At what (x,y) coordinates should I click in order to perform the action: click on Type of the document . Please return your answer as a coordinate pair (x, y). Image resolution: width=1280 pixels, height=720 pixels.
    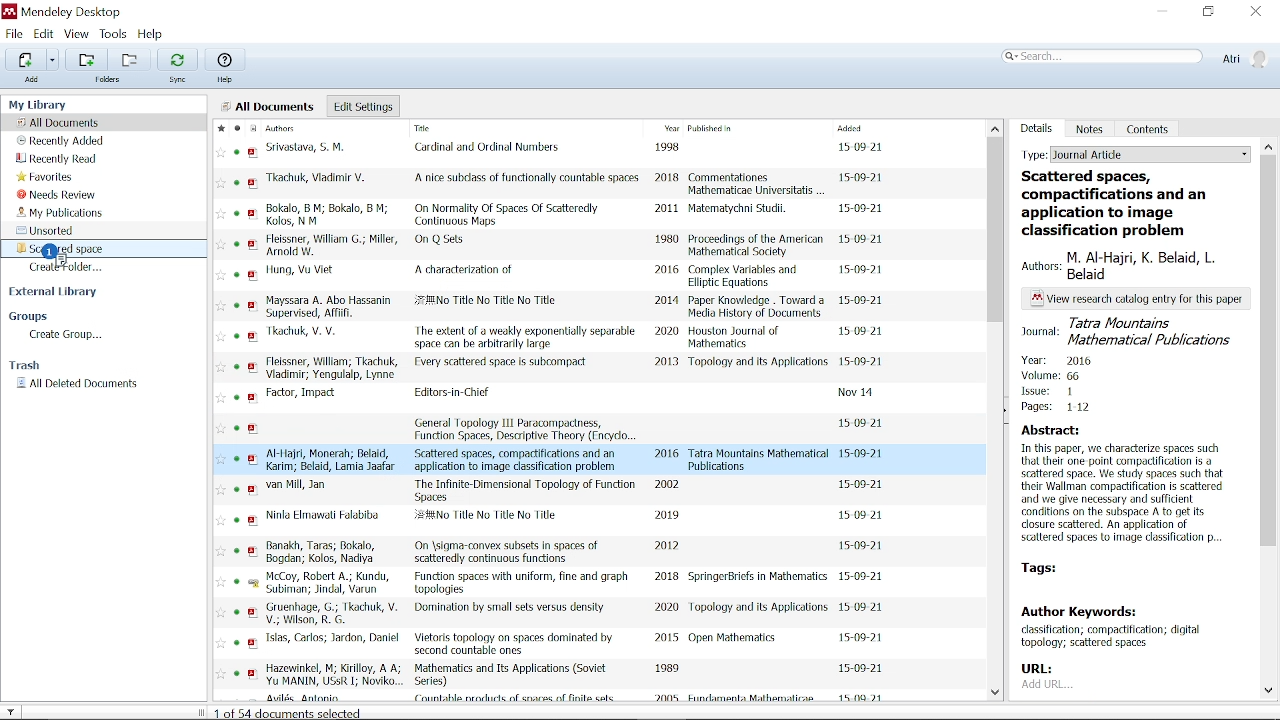
    Looking at the image, I should click on (1269, 147).